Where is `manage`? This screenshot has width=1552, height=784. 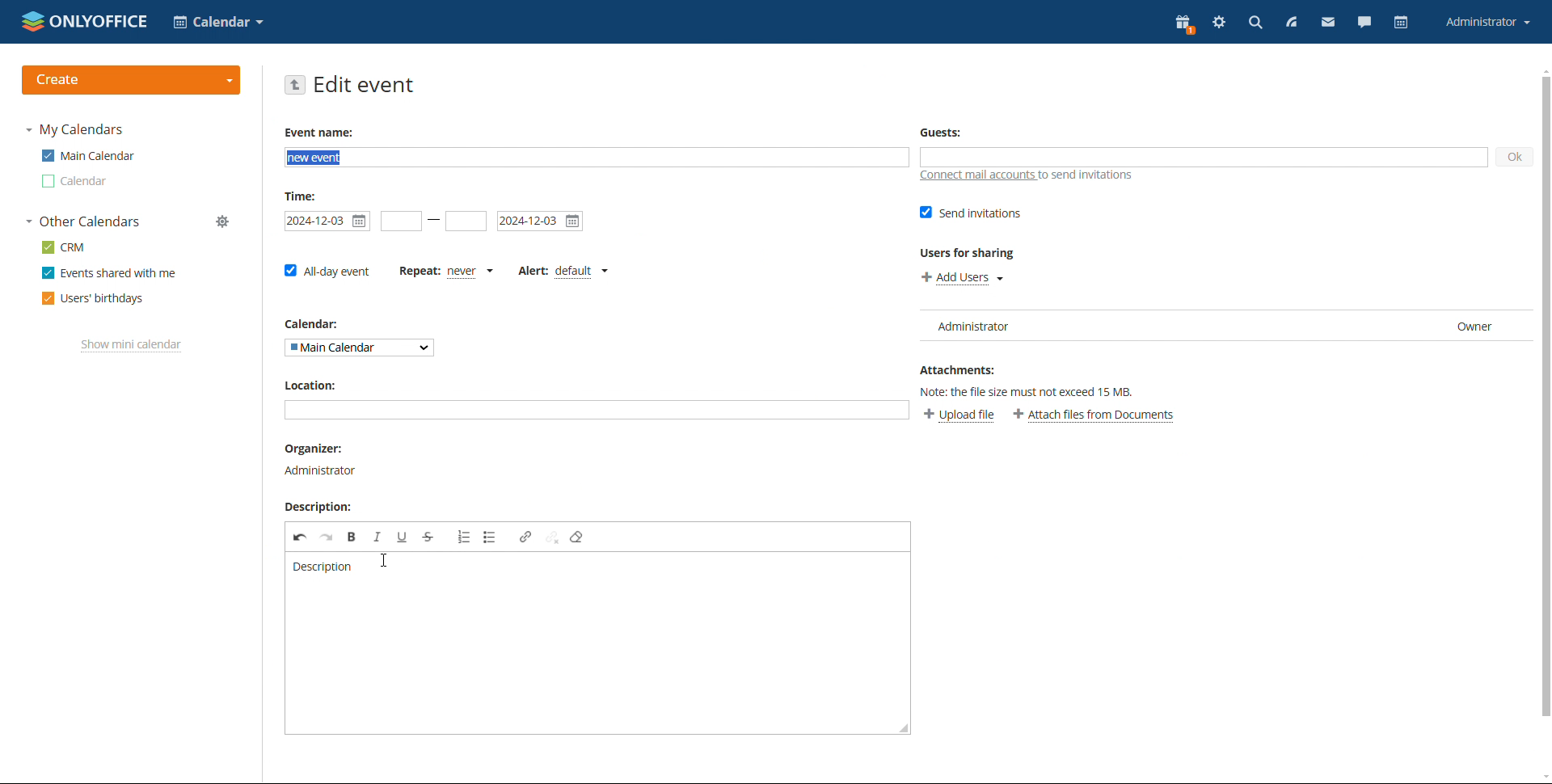 manage is located at coordinates (223, 221).